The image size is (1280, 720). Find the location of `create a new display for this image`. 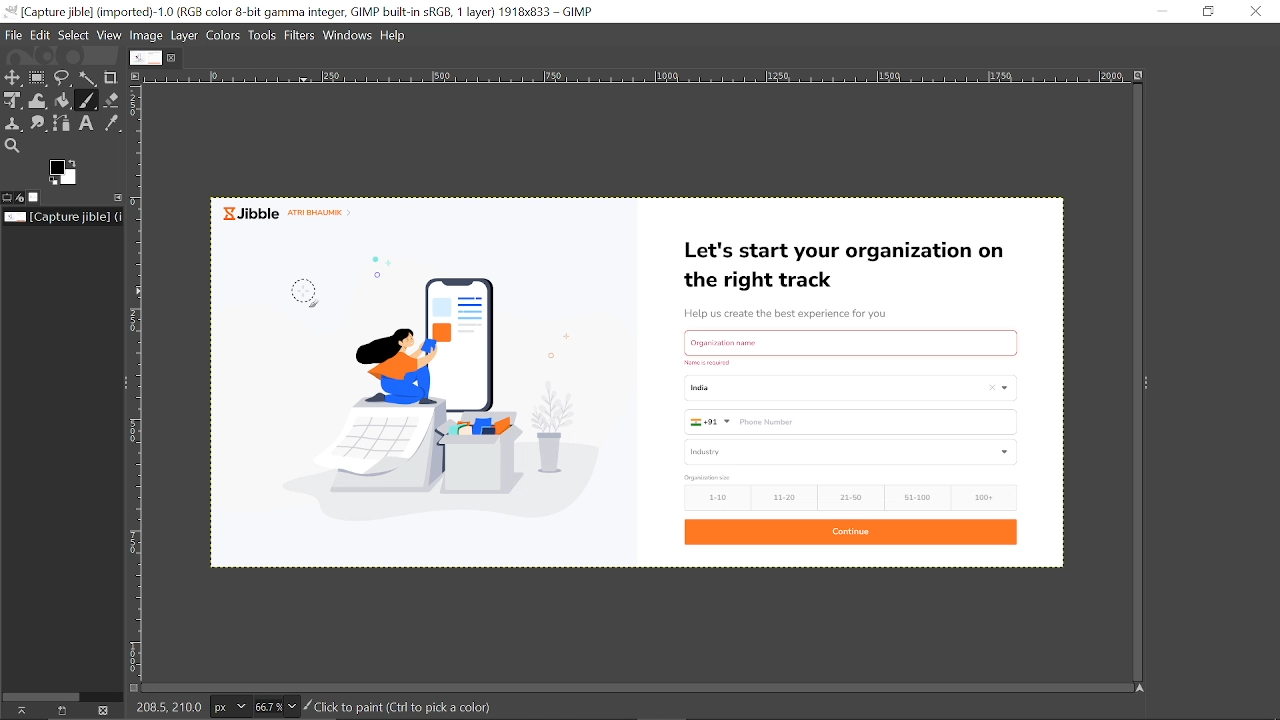

create a new display for this image is located at coordinates (59, 710).